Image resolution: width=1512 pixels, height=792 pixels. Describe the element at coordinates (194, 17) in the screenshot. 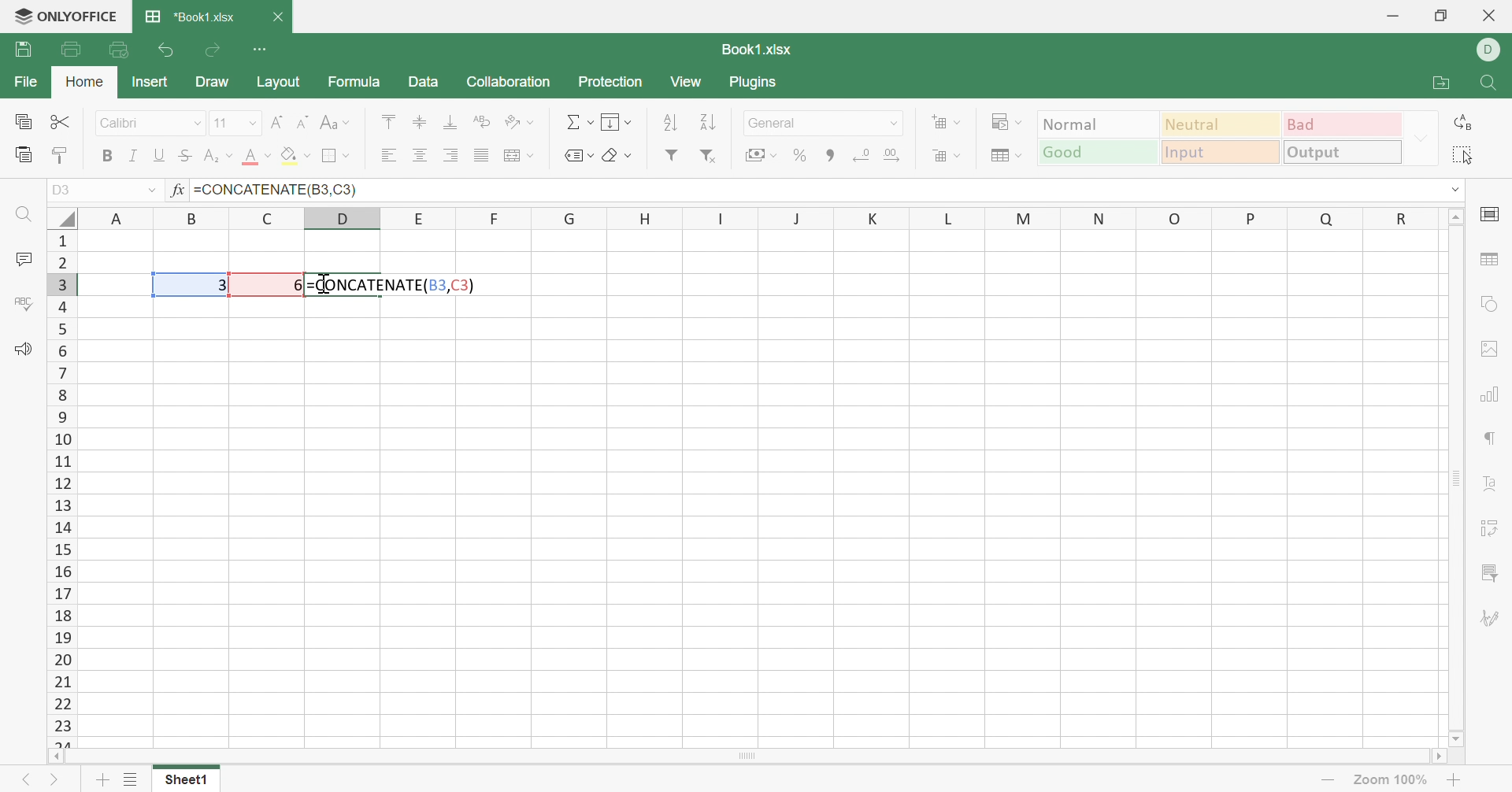

I see `*Book1.xlsx` at that location.